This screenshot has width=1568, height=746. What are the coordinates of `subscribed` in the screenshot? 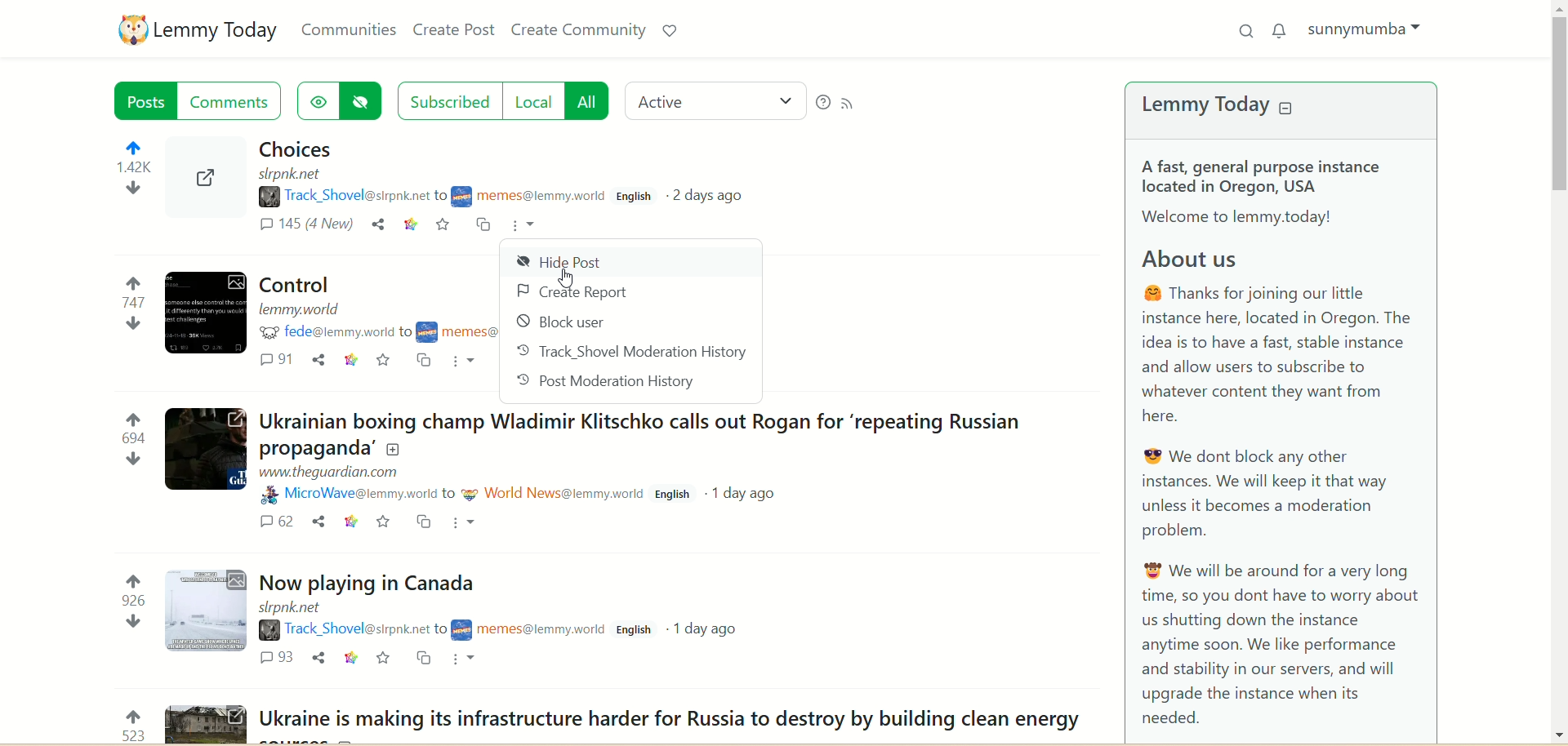 It's located at (448, 100).